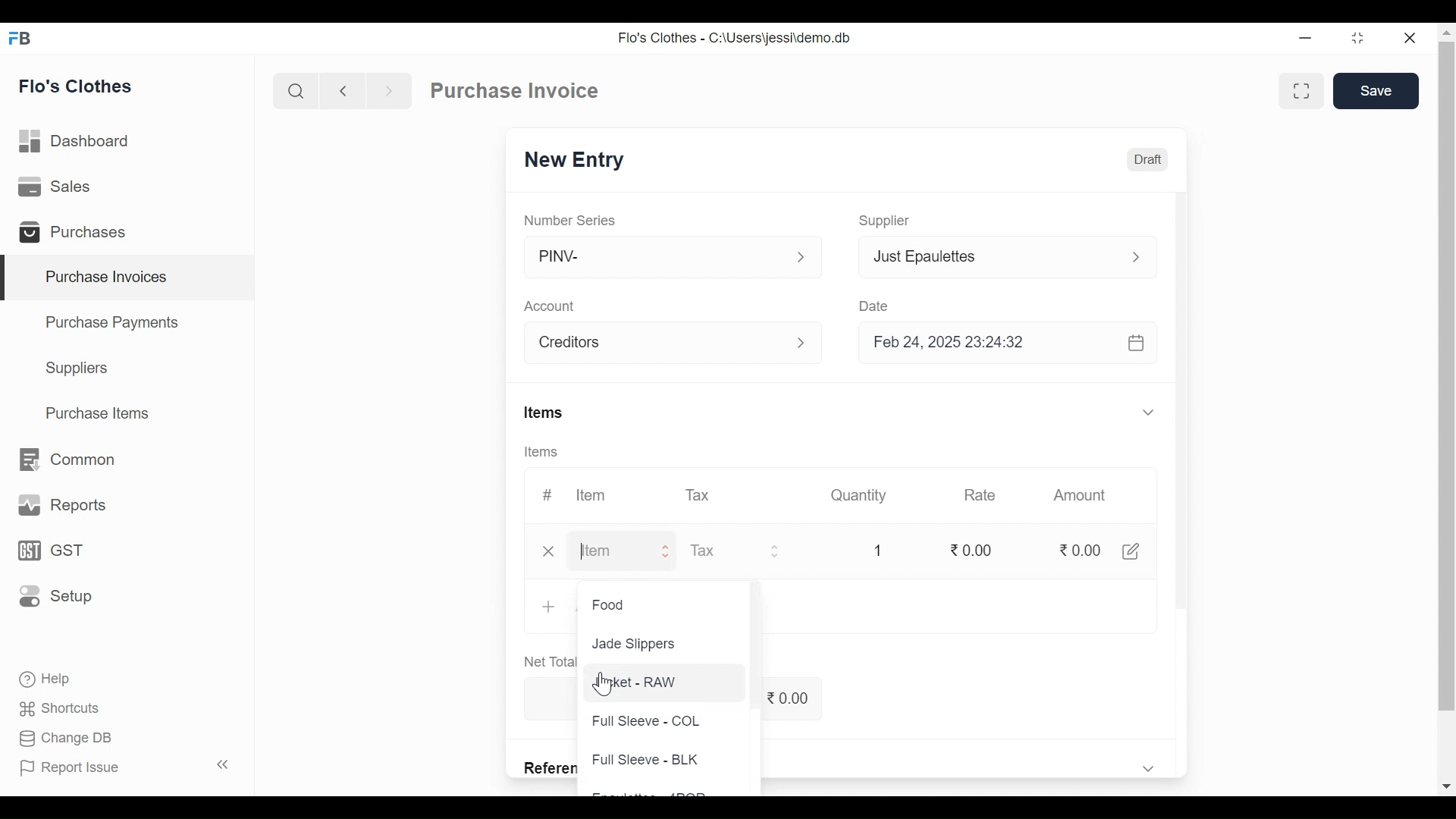 This screenshot has height=819, width=1456. What do you see at coordinates (1307, 39) in the screenshot?
I see `minimize` at bounding box center [1307, 39].